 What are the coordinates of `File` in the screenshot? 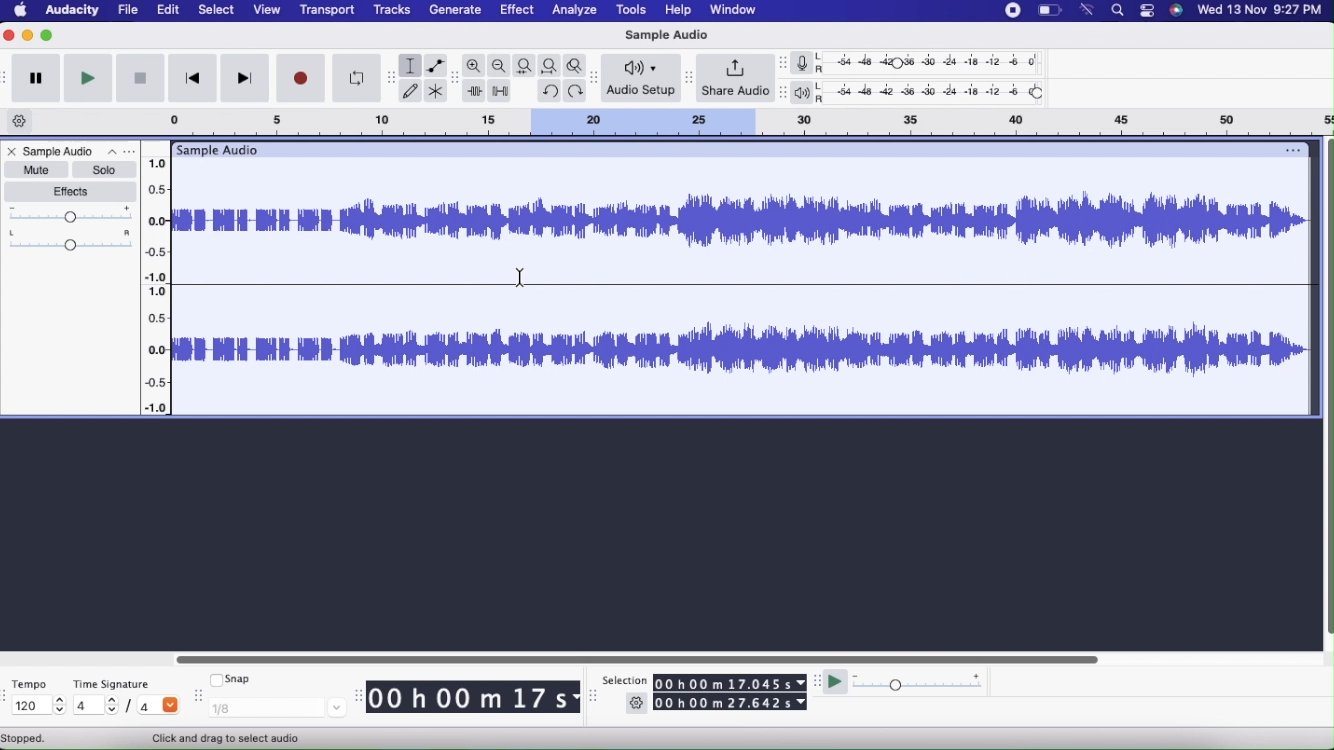 It's located at (130, 10).